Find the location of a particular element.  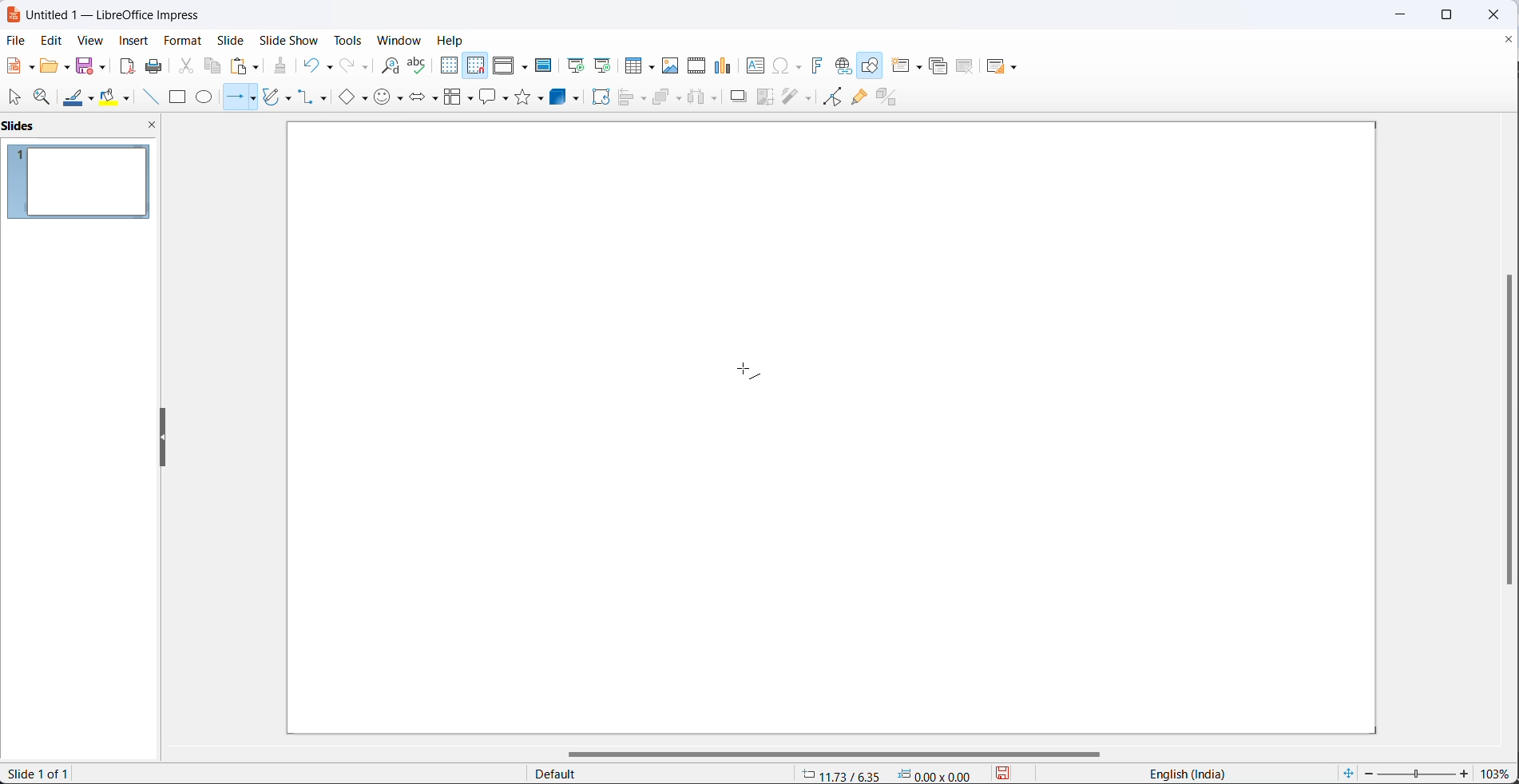

-0.93/0.27 0.00*0.00 is located at coordinates (892, 774).